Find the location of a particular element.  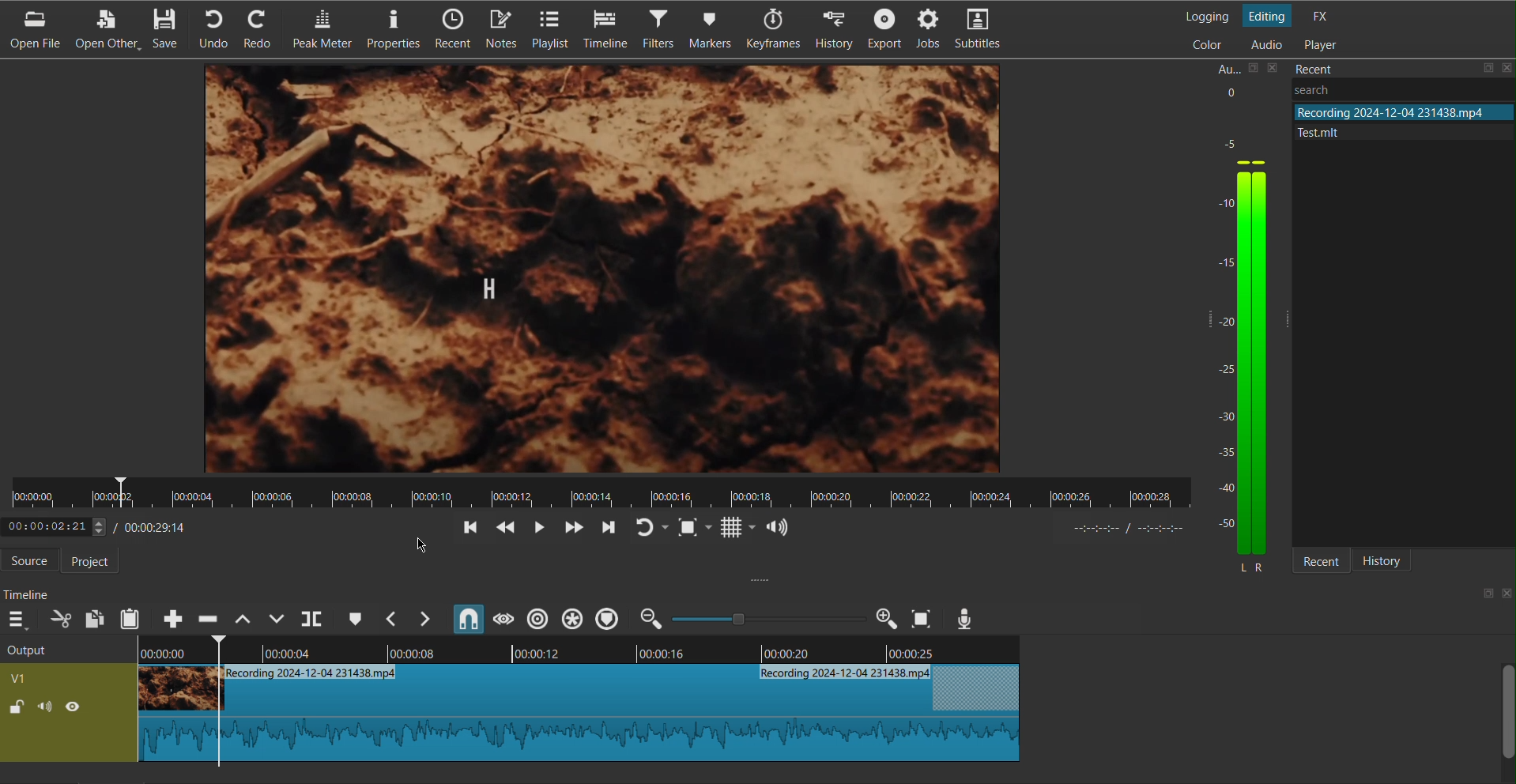

Paste is located at coordinates (130, 616).